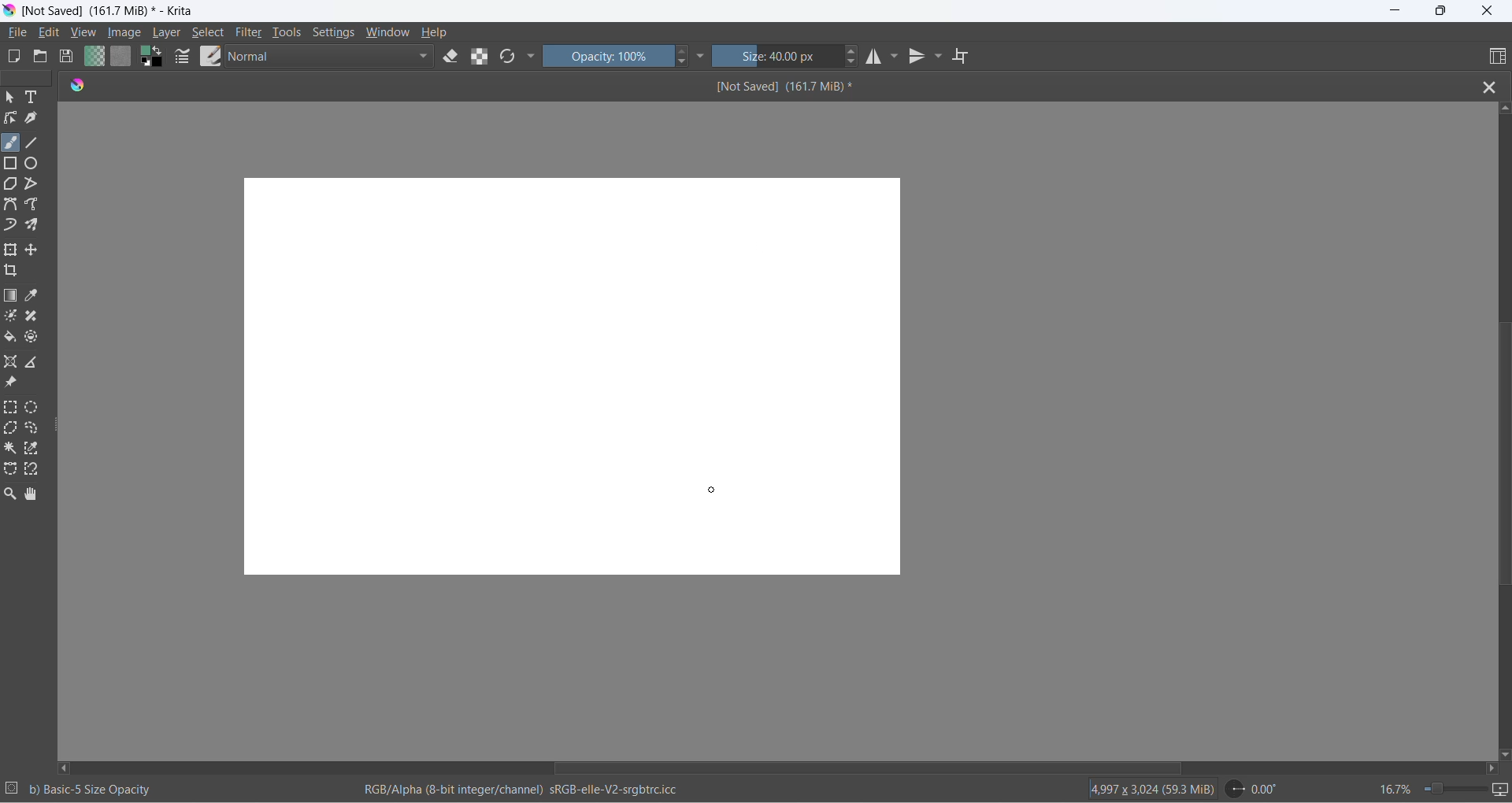 The height and width of the screenshot is (803, 1512). I want to click on scroll right button, so click(1490, 768).